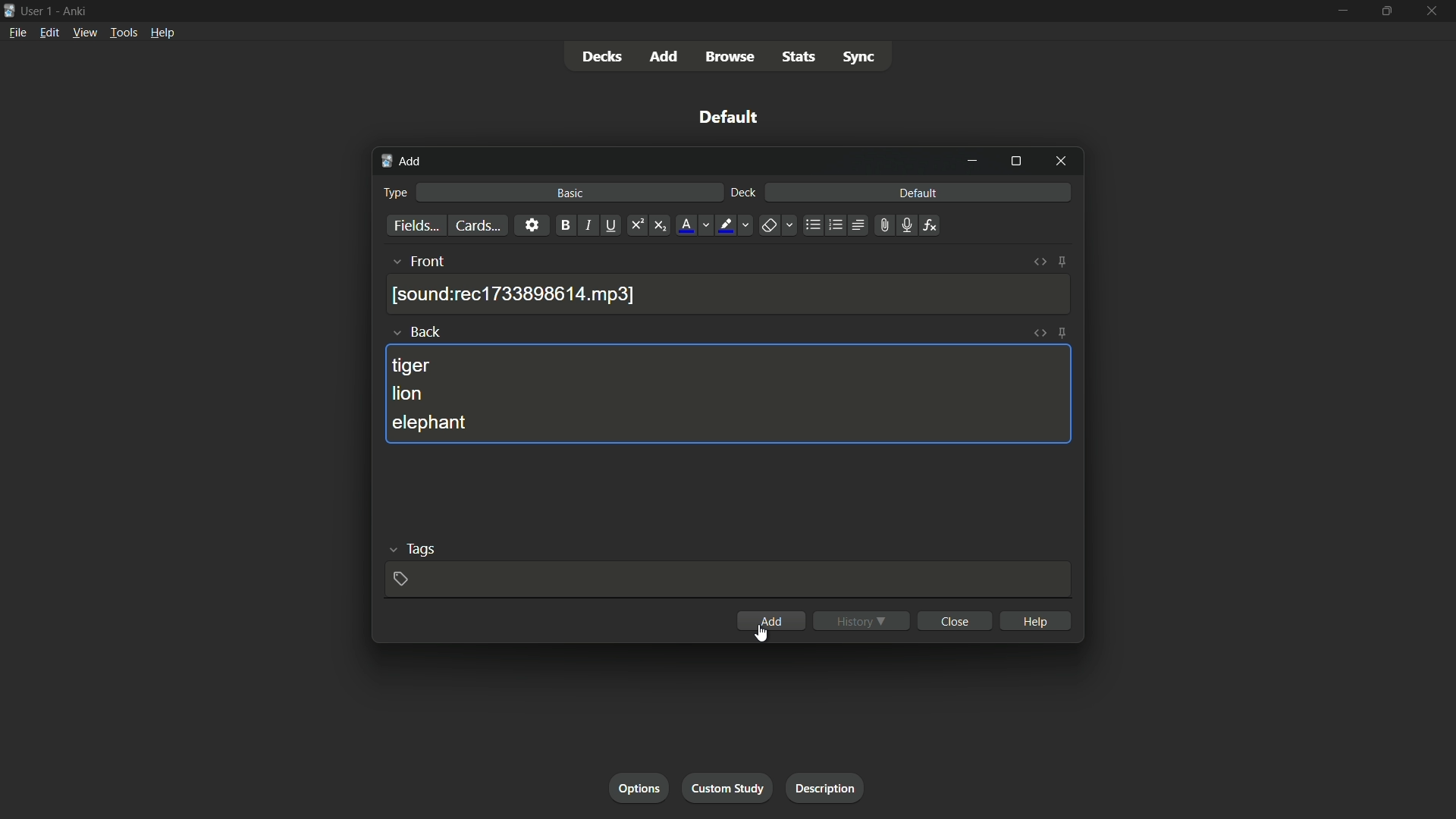 Image resolution: width=1456 pixels, height=819 pixels. What do you see at coordinates (413, 366) in the screenshot?
I see `tiger` at bounding box center [413, 366].